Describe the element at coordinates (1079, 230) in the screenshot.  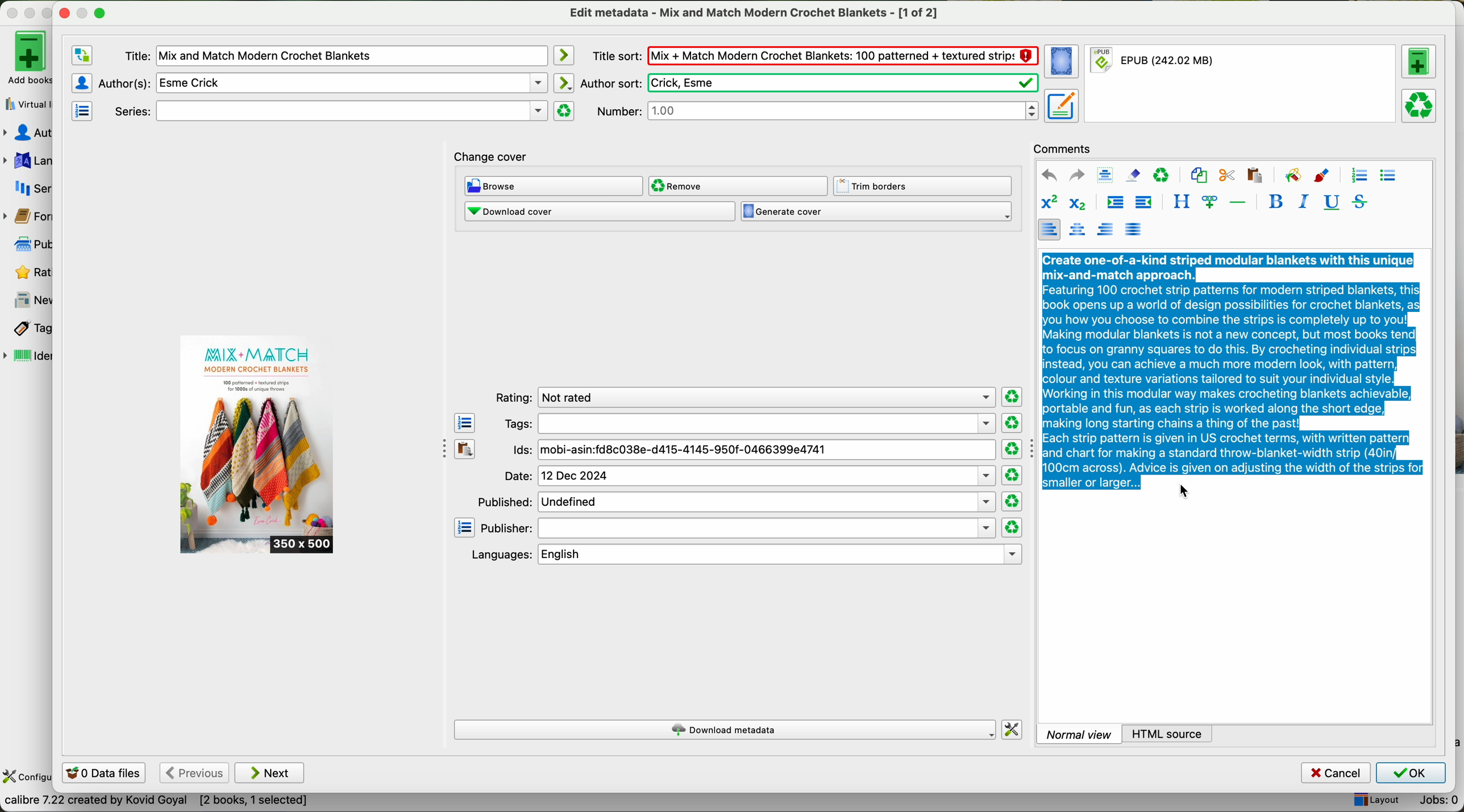
I see `align center` at that location.